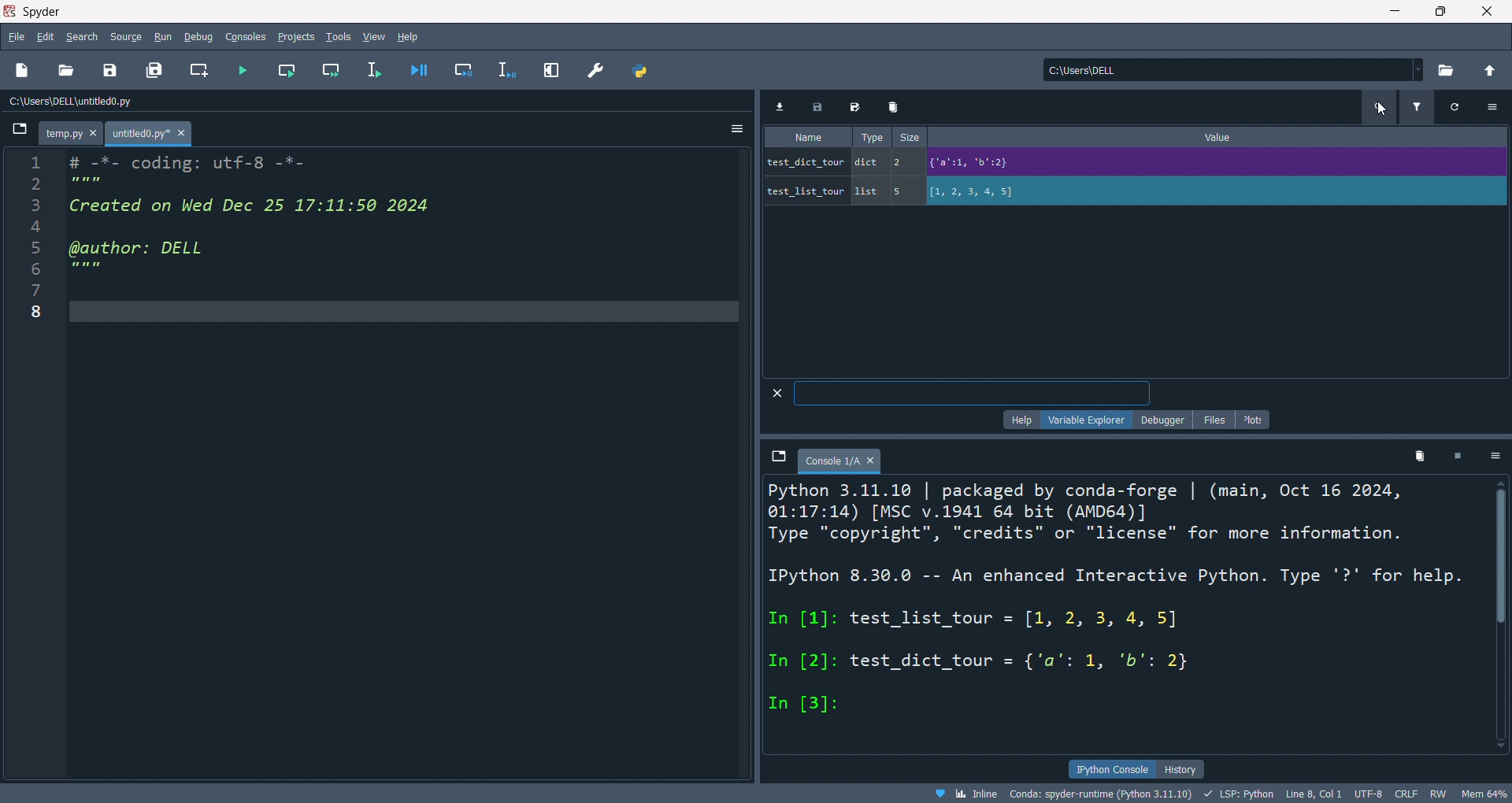  Describe the element at coordinates (1017, 420) in the screenshot. I see `hlep` at that location.